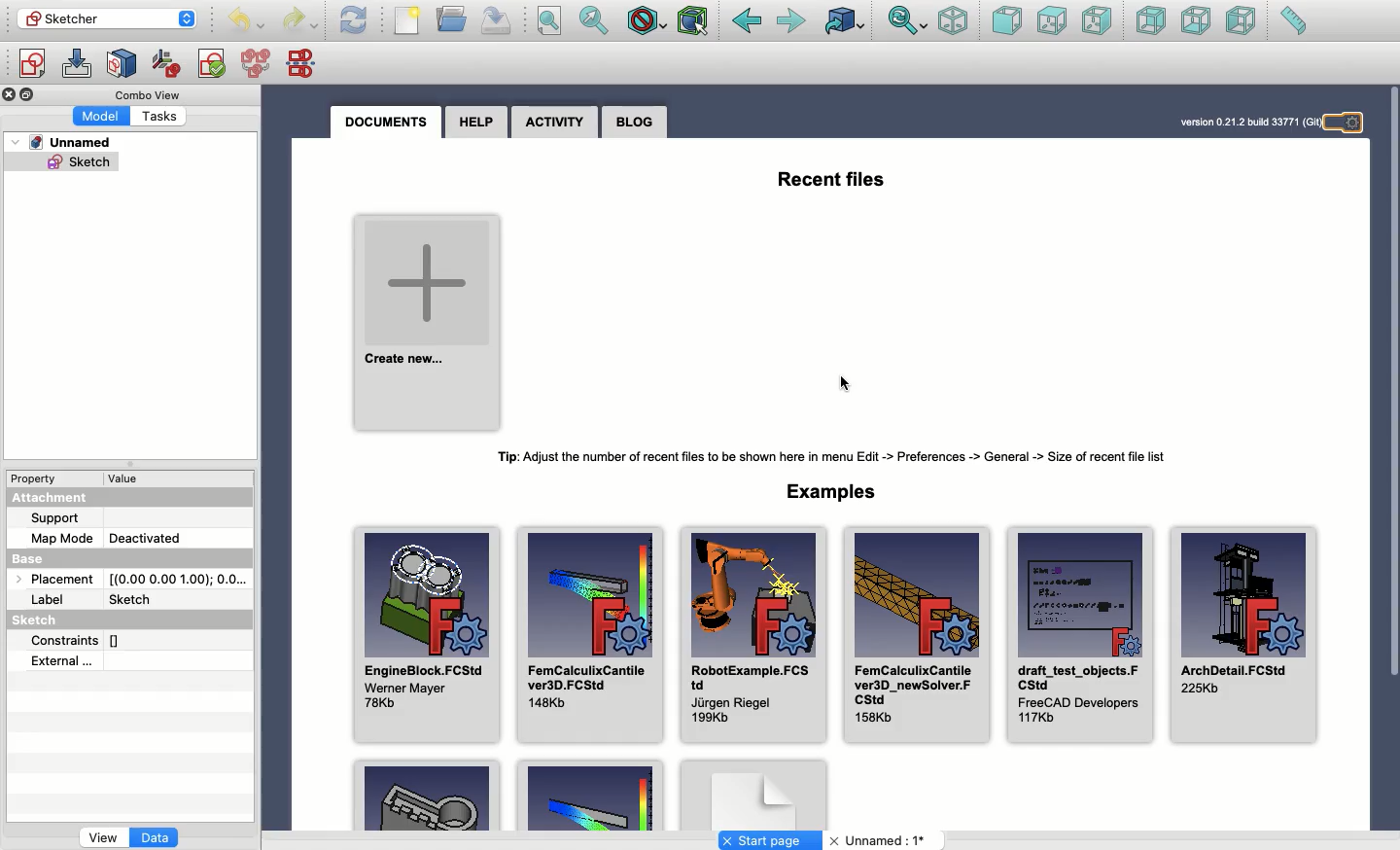  Describe the element at coordinates (29, 95) in the screenshot. I see `Collapse` at that location.